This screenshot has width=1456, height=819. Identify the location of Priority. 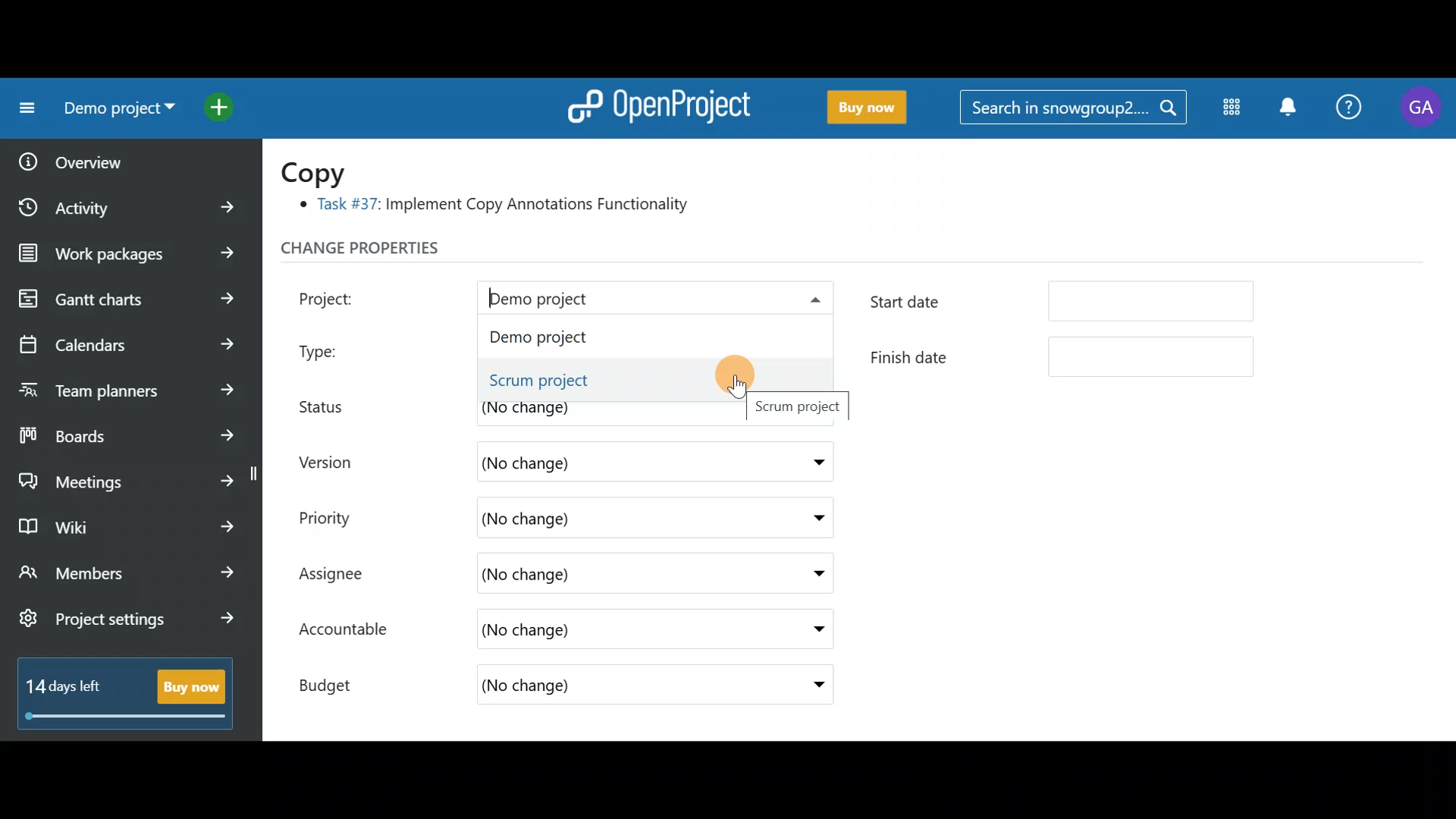
(341, 516).